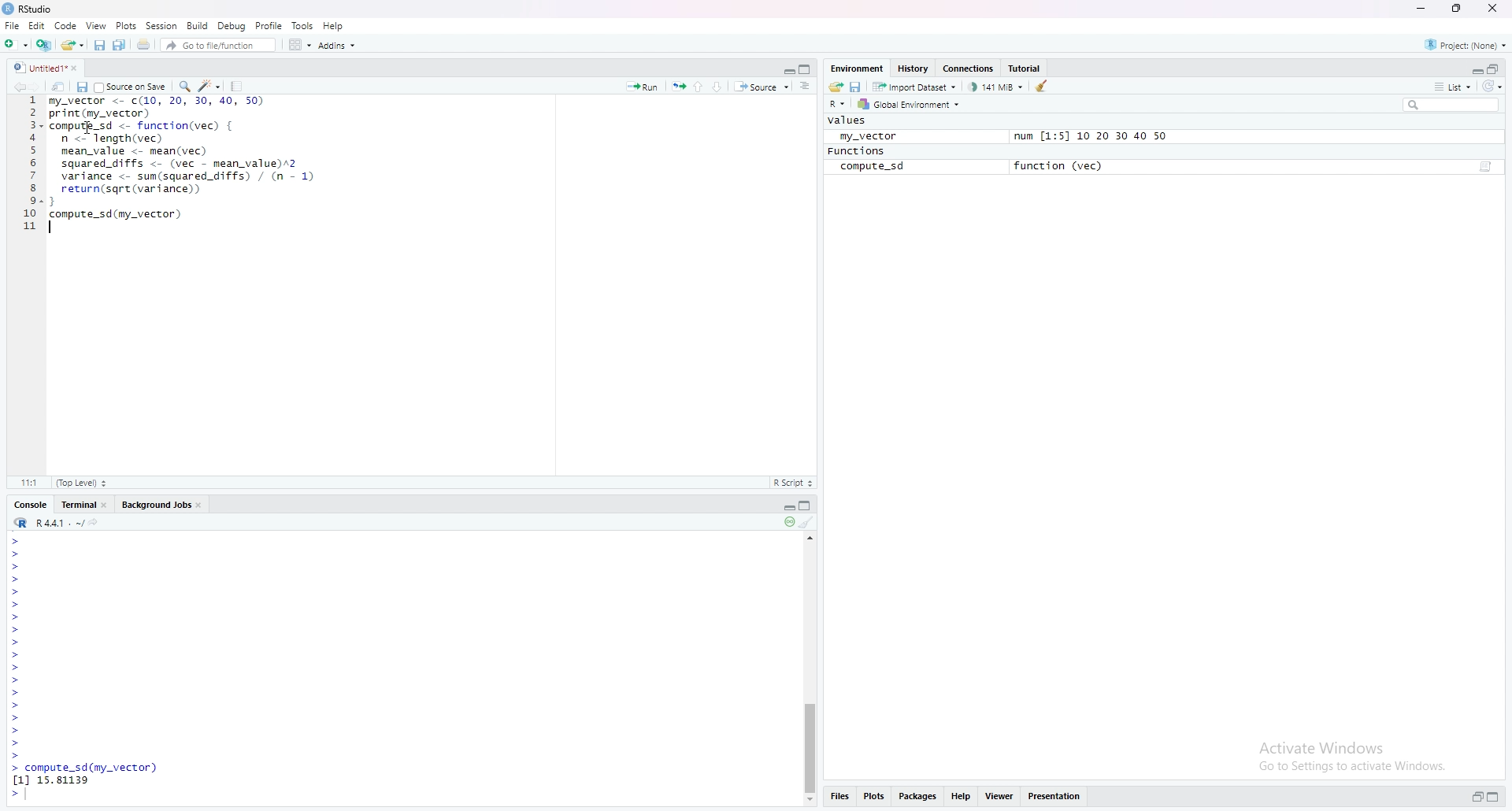  I want to click on Prompt cursor, so click(18, 694).